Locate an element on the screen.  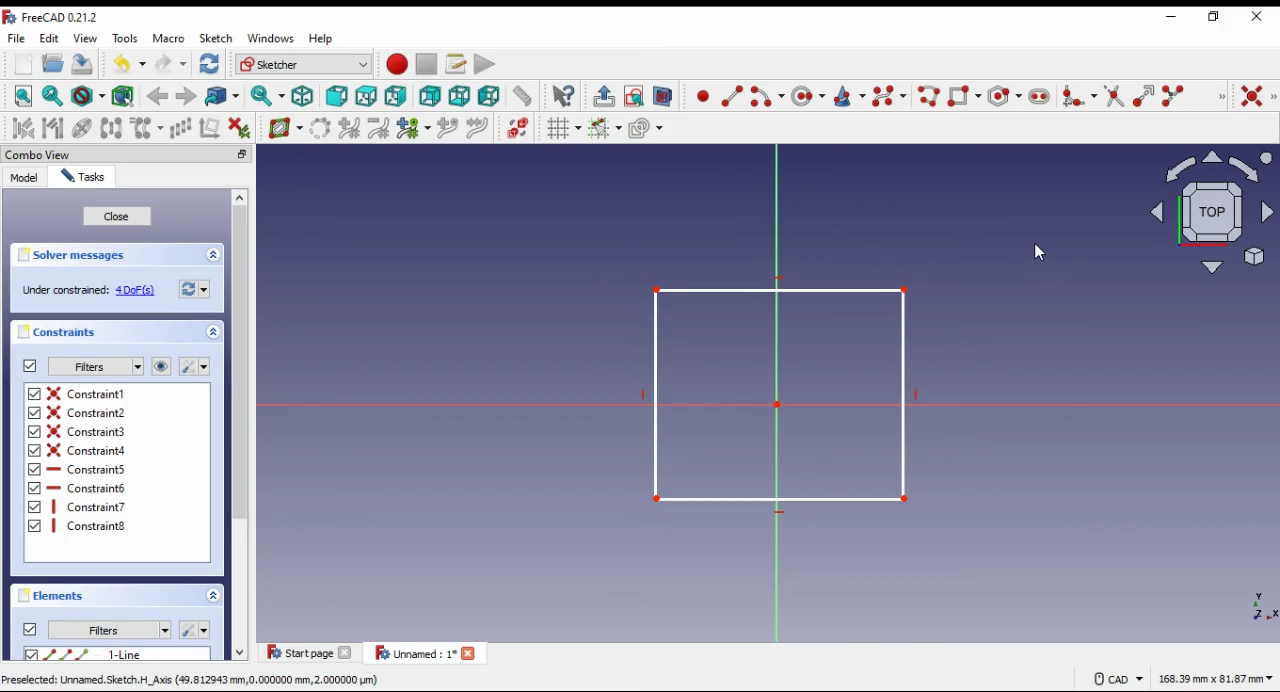
create polyline is located at coordinates (927, 95).